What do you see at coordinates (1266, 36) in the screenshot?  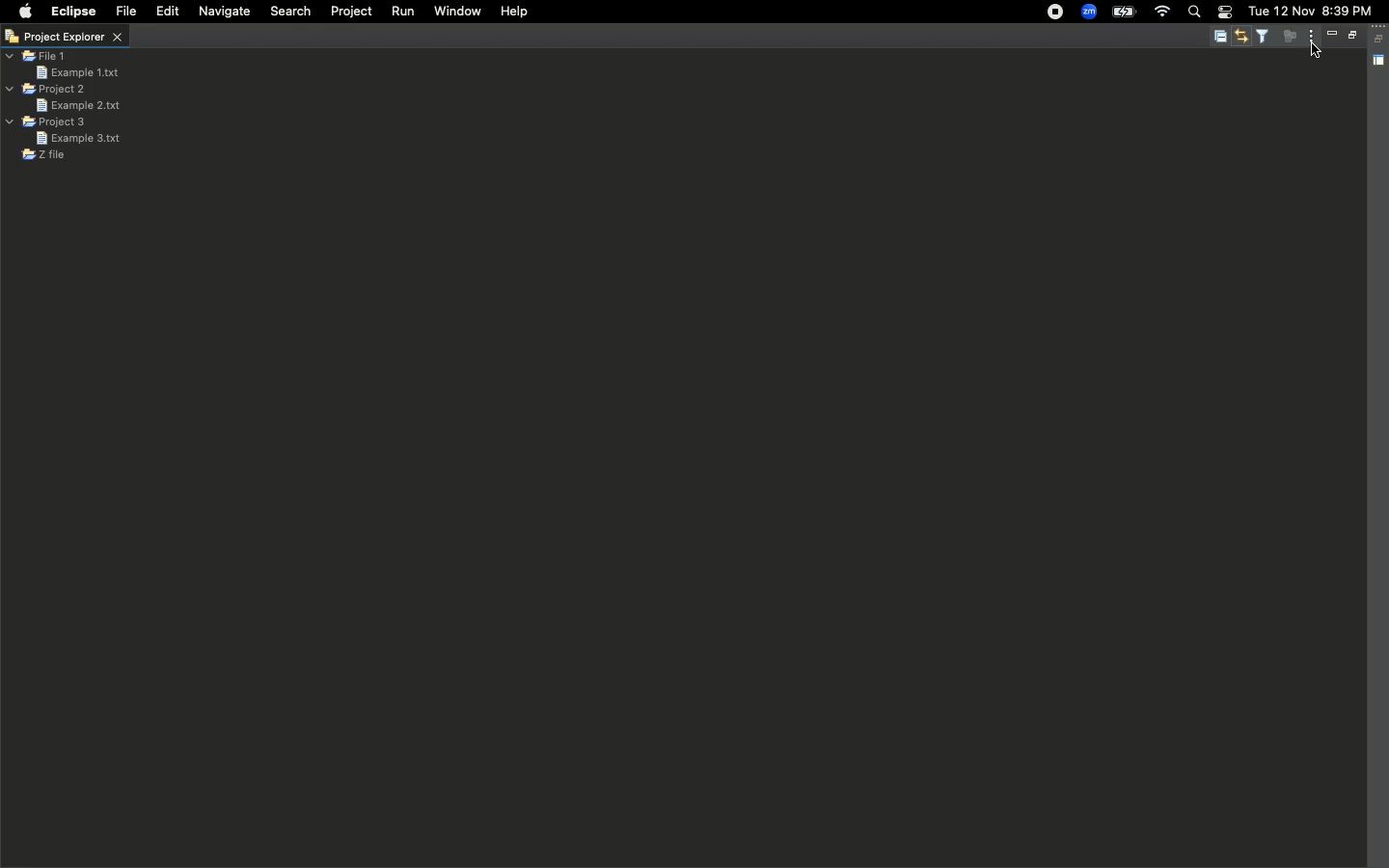 I see `Select and deselect filters ` at bounding box center [1266, 36].